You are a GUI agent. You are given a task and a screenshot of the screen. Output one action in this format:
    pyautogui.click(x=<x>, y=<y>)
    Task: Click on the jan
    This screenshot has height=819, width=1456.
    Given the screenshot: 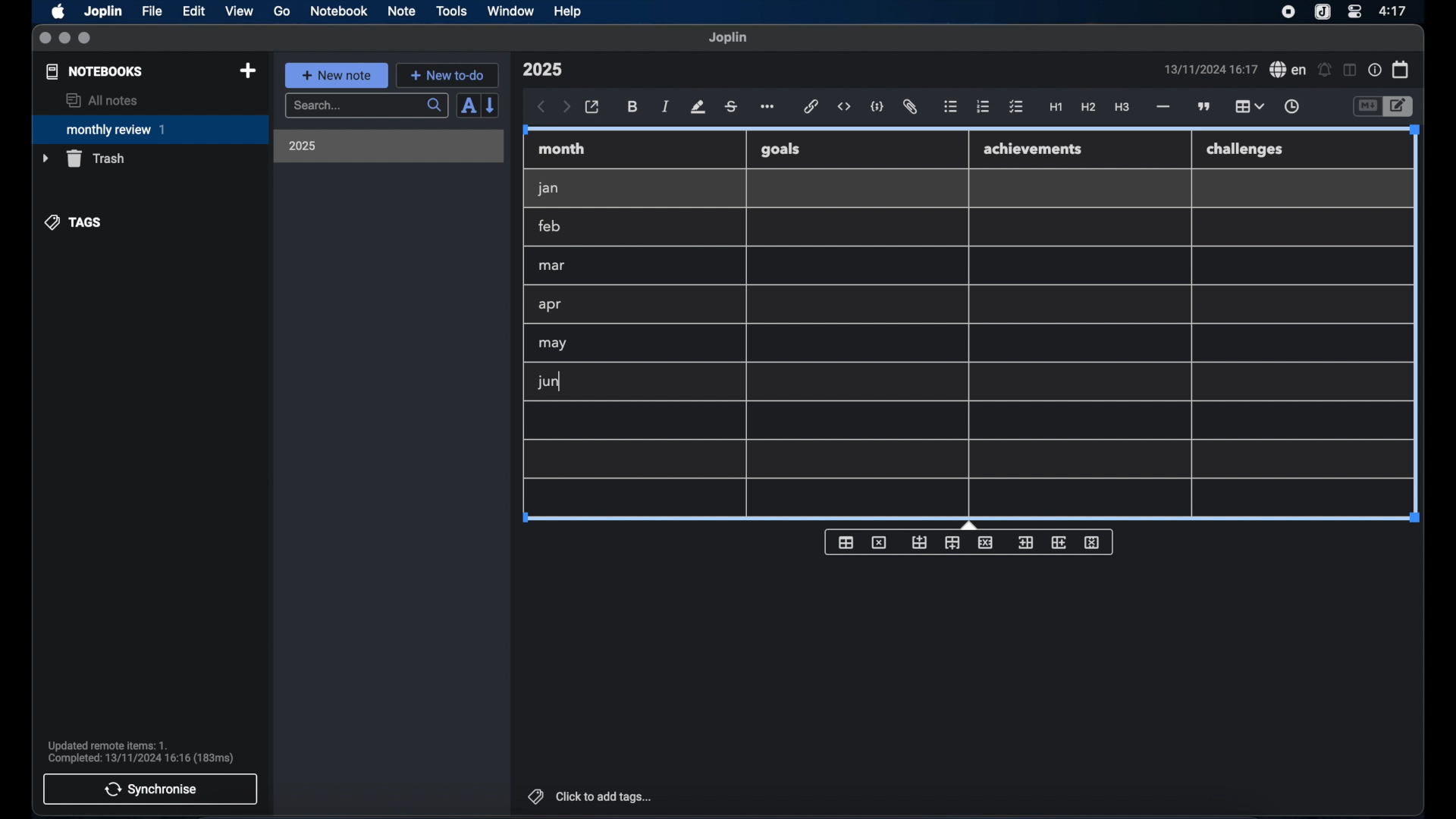 What is the action you would take?
    pyautogui.click(x=548, y=189)
    